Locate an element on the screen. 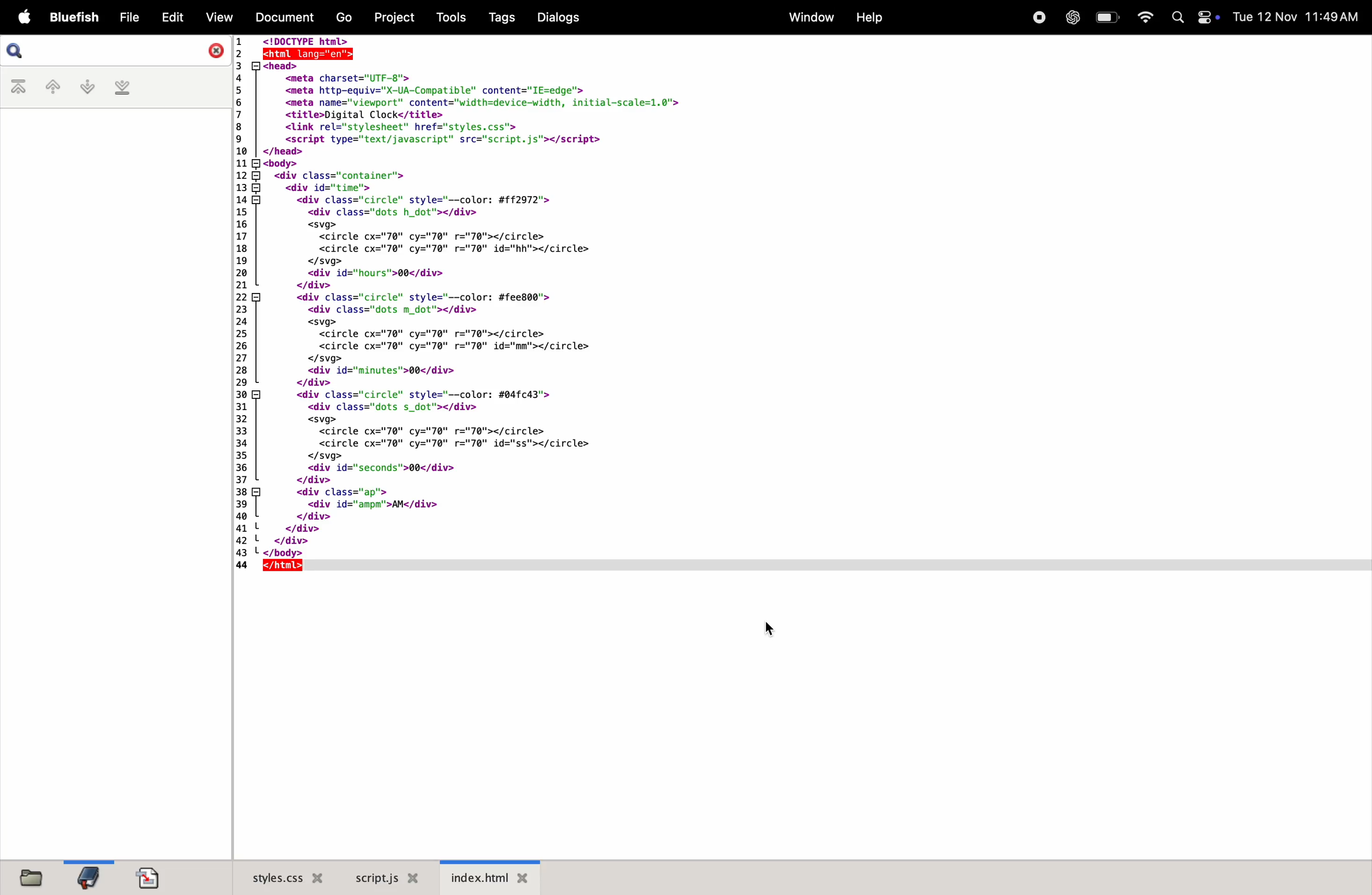  index.html is located at coordinates (489, 876).